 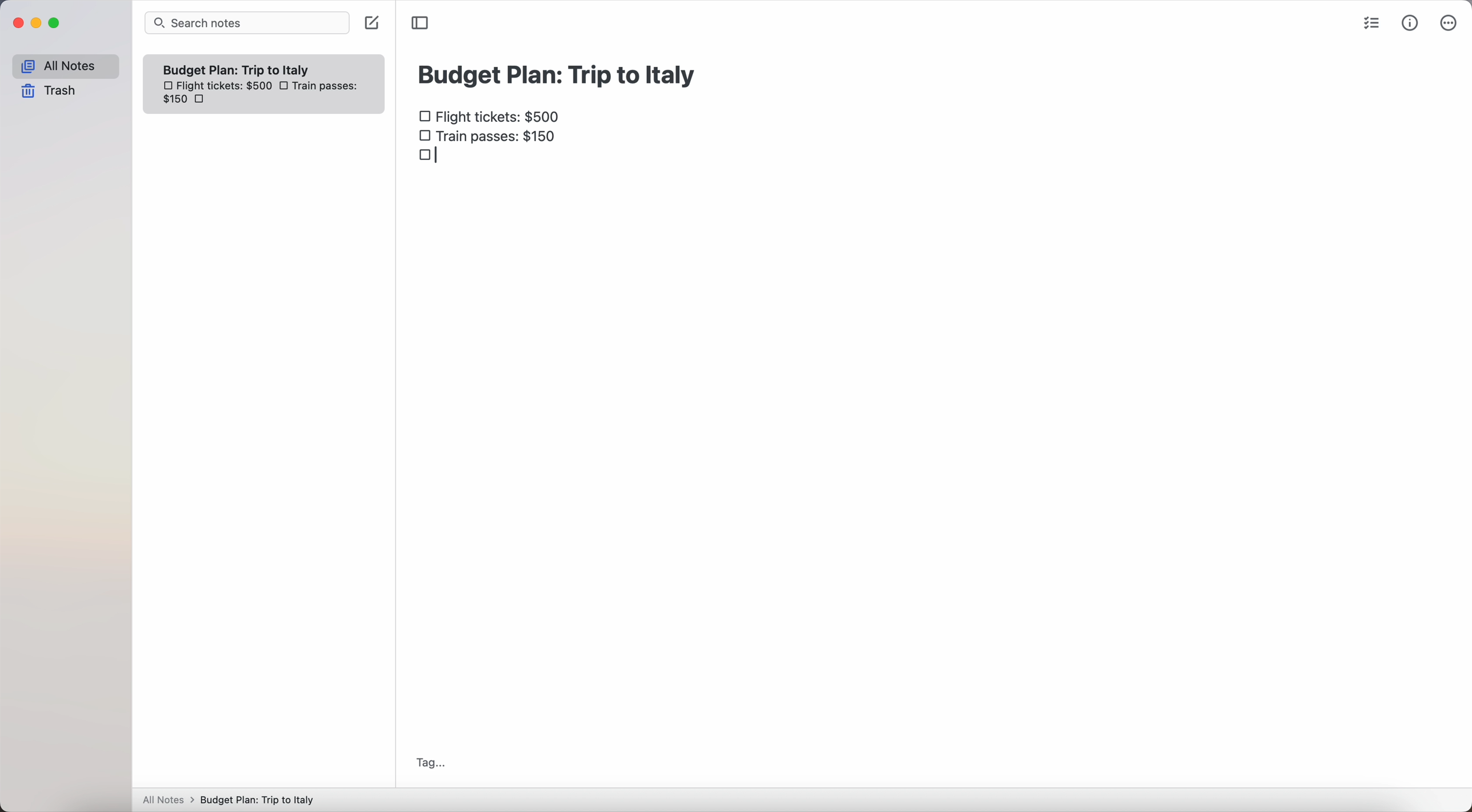 I want to click on budget plan: trip to Italy, so click(x=559, y=73).